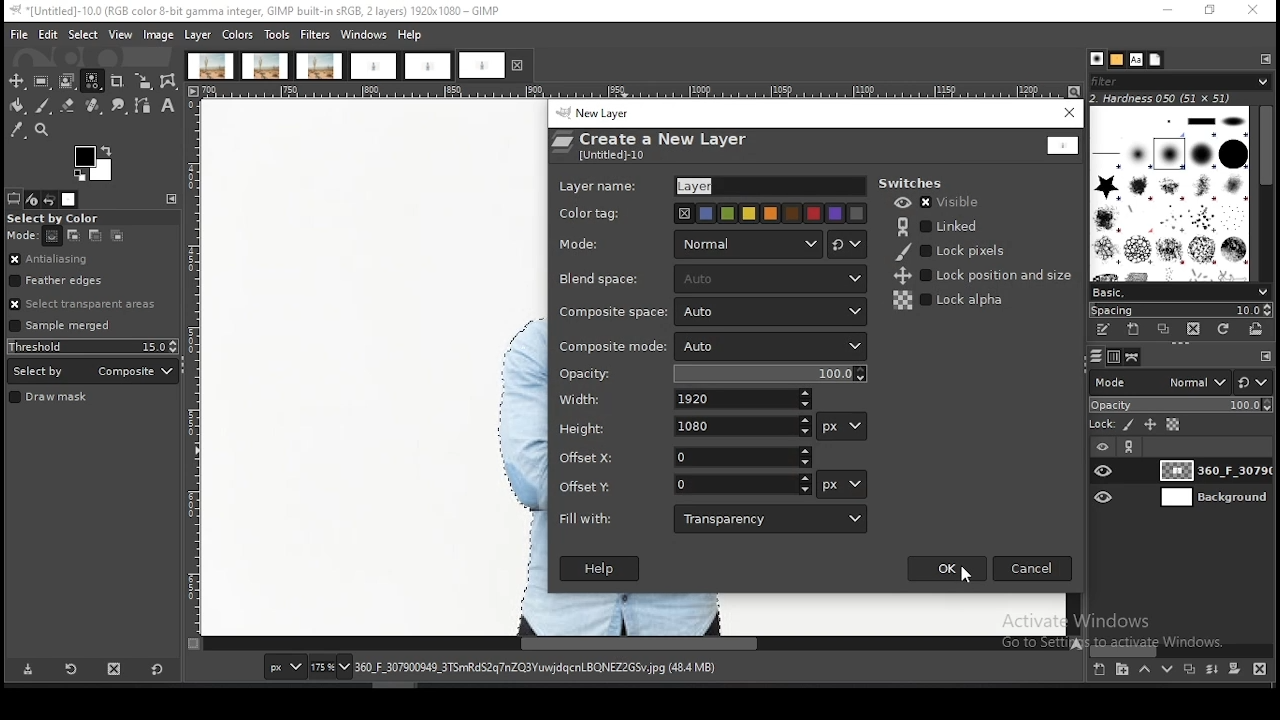 Image resolution: width=1280 pixels, height=720 pixels. Describe the element at coordinates (1178, 311) in the screenshot. I see `spacing` at that location.